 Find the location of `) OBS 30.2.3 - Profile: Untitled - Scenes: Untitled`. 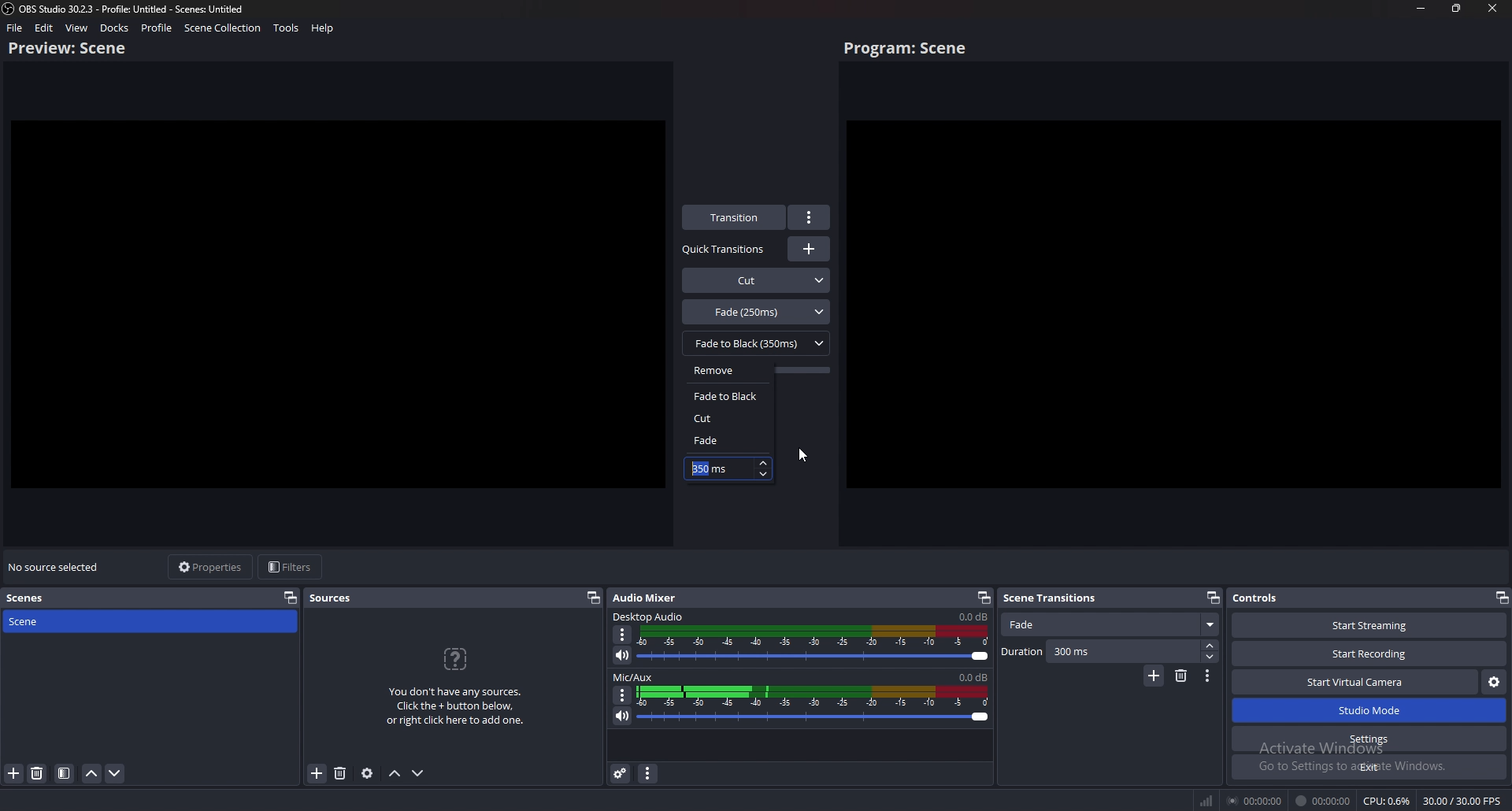

) OBS 30.2.3 - Profile: Untitled - Scenes: Untitled is located at coordinates (142, 8).